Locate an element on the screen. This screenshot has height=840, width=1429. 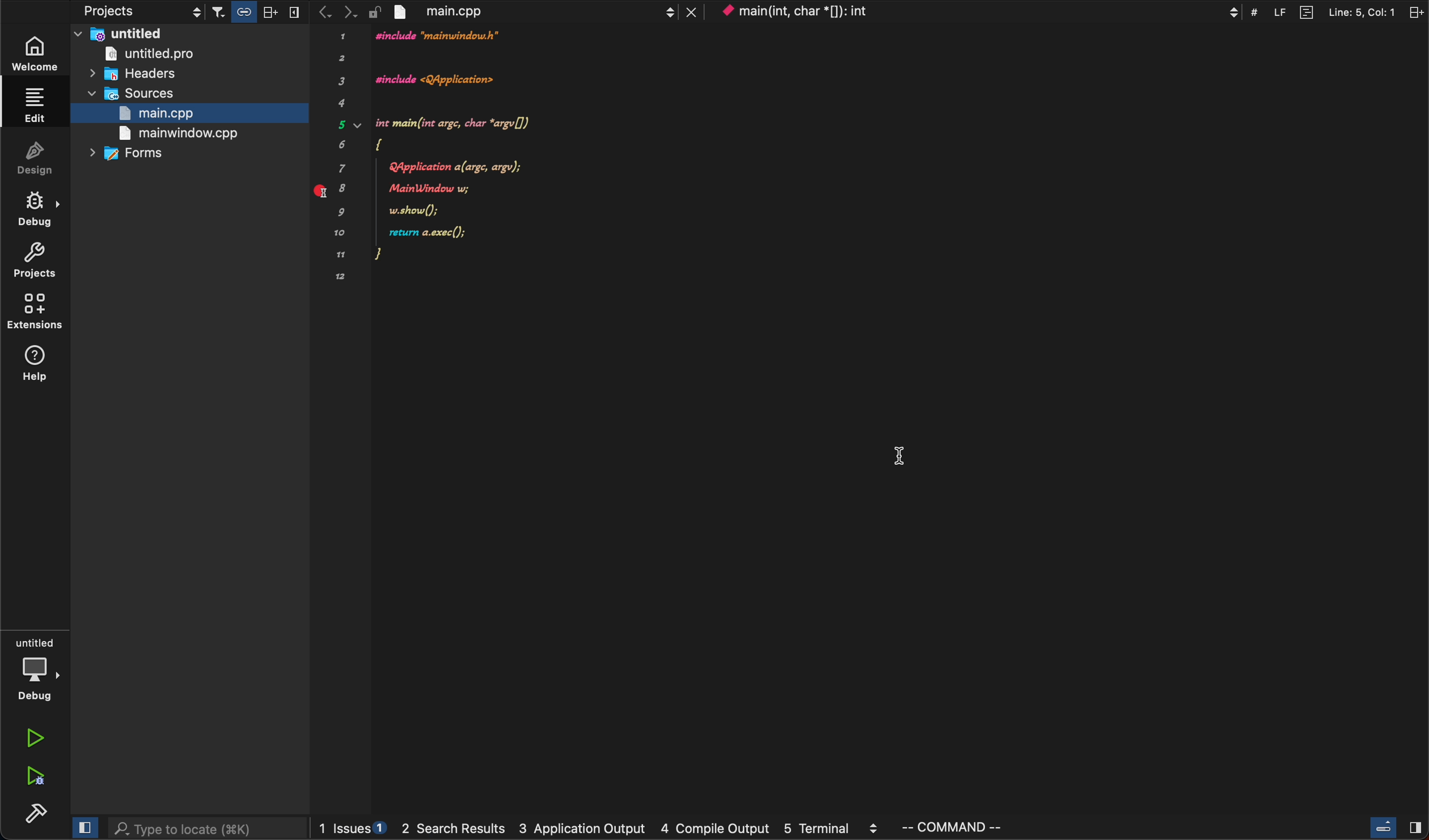
Curser is located at coordinates (900, 460).